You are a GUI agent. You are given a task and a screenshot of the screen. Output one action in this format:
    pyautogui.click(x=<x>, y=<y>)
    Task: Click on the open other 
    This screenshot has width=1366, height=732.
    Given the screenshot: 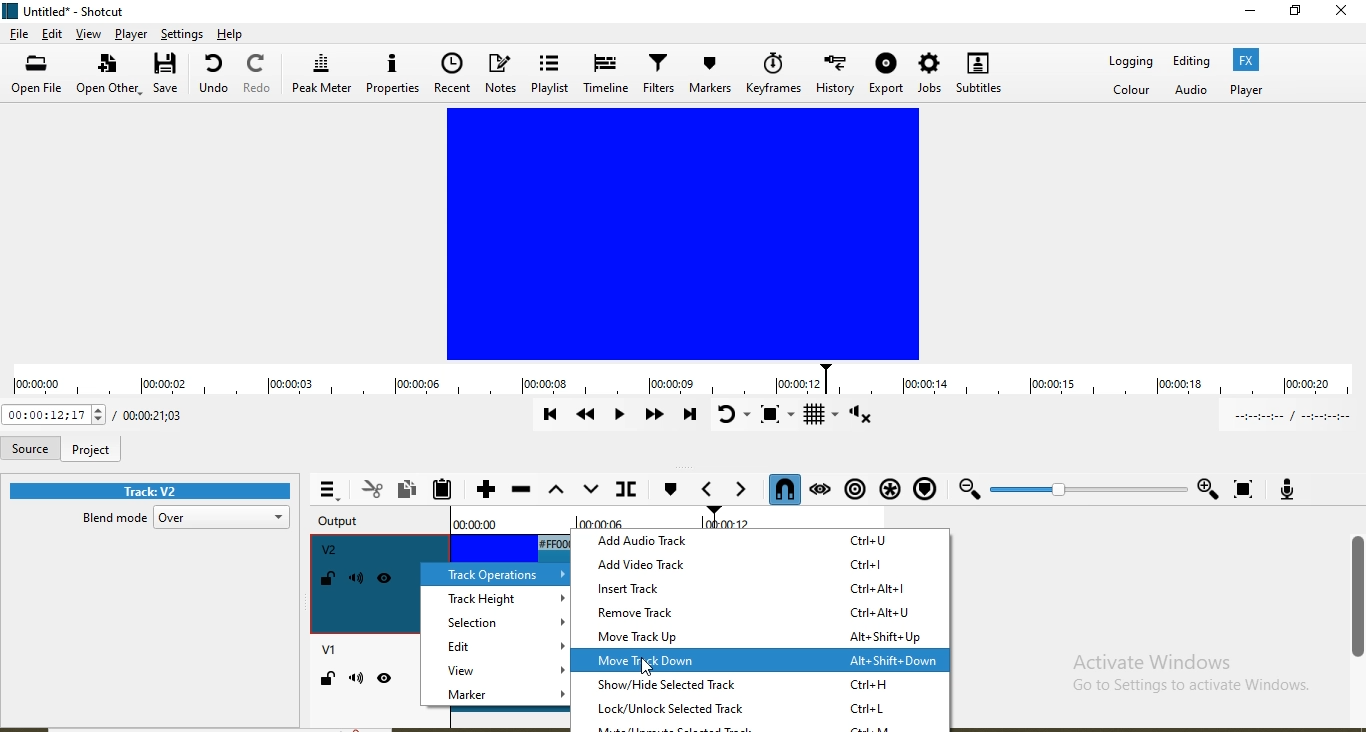 What is the action you would take?
    pyautogui.click(x=110, y=76)
    